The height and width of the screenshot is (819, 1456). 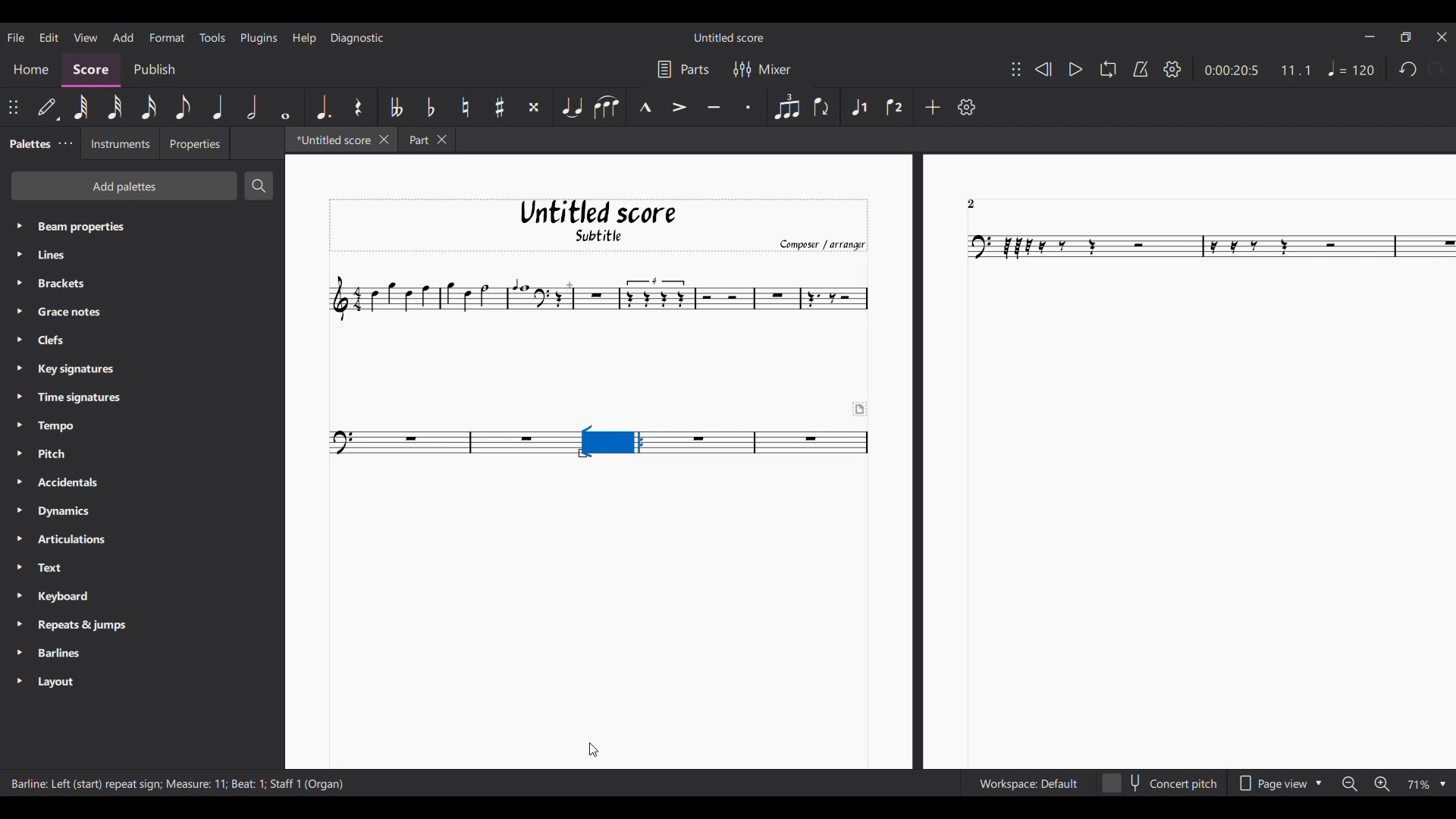 I want to click on 8th note, so click(x=184, y=107).